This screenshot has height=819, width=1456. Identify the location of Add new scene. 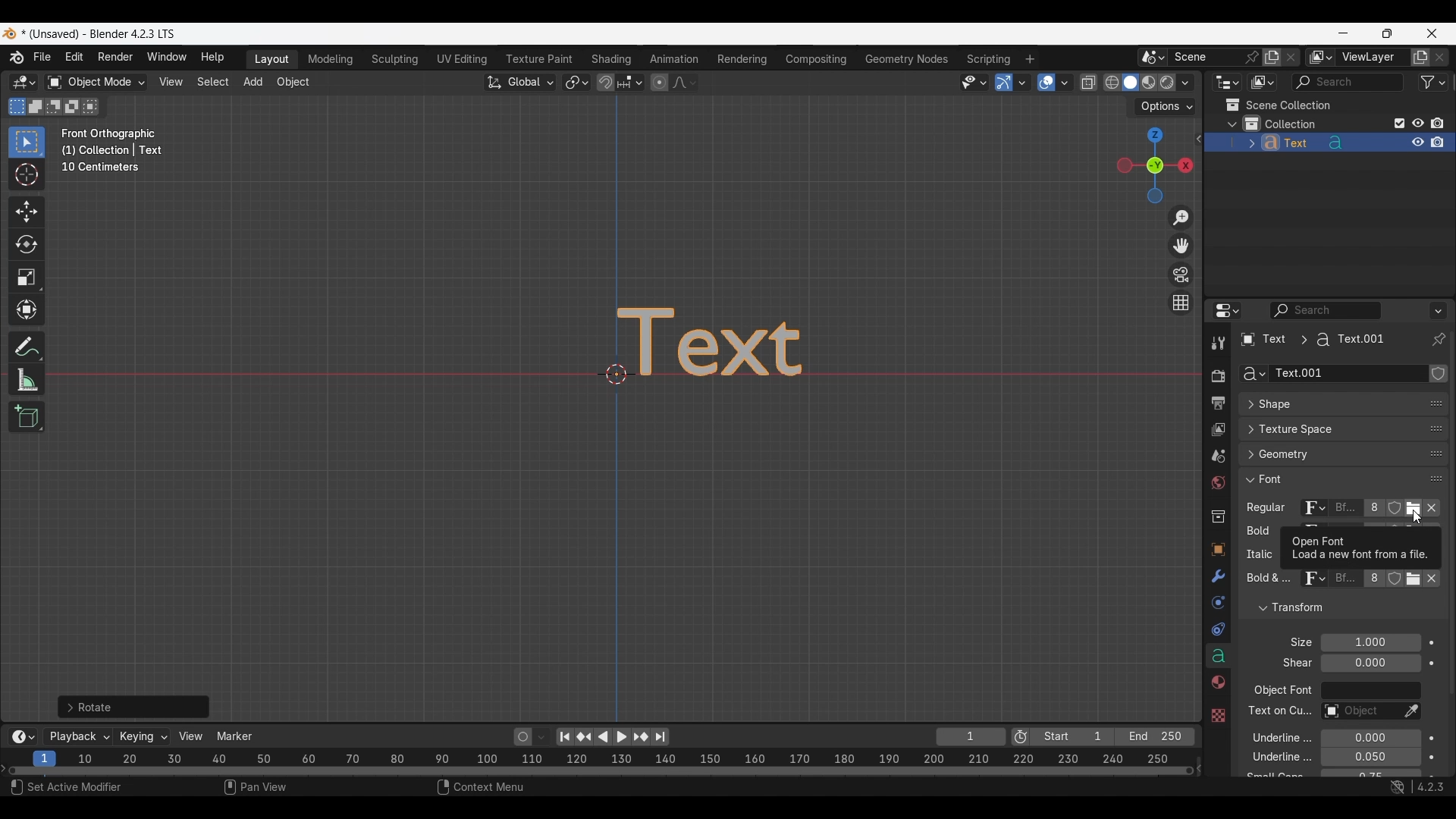
(1272, 58).